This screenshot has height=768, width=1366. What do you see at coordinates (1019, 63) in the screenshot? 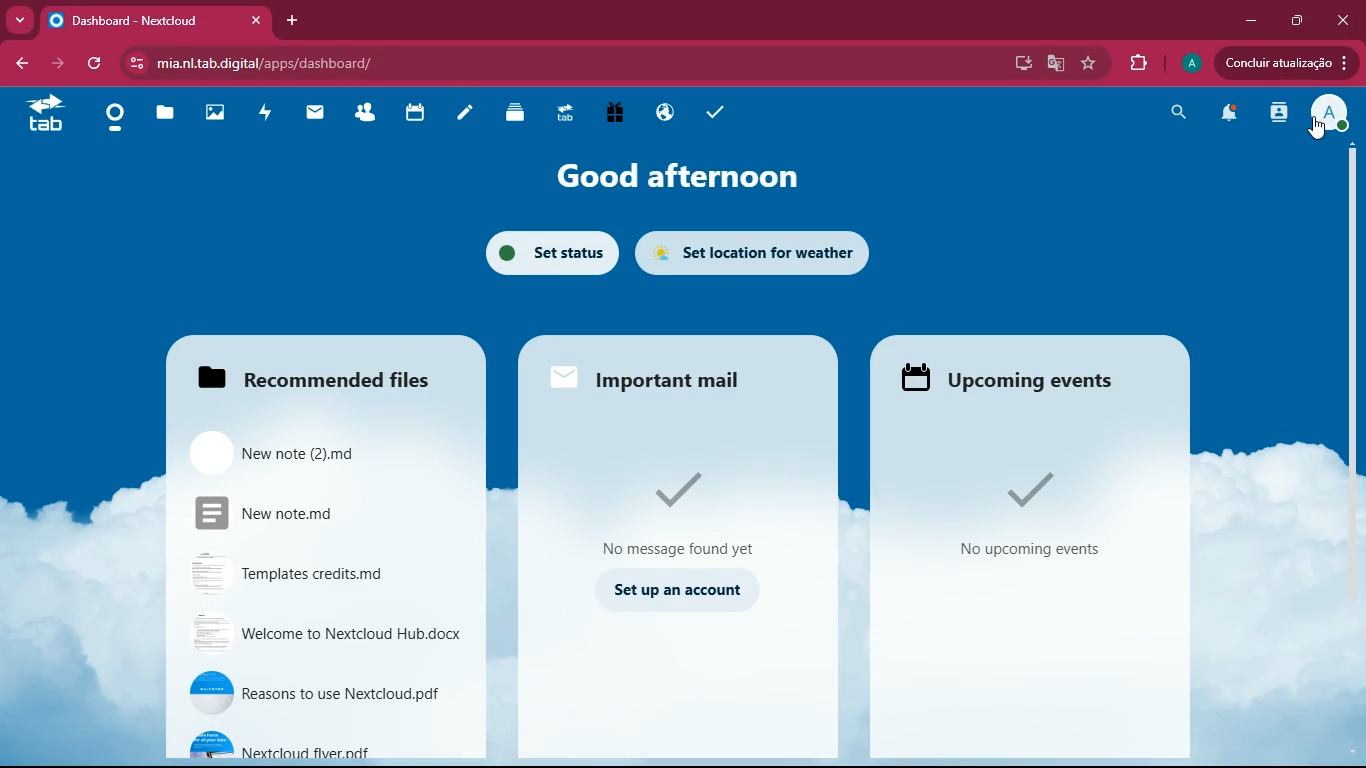
I see `desktop` at bounding box center [1019, 63].